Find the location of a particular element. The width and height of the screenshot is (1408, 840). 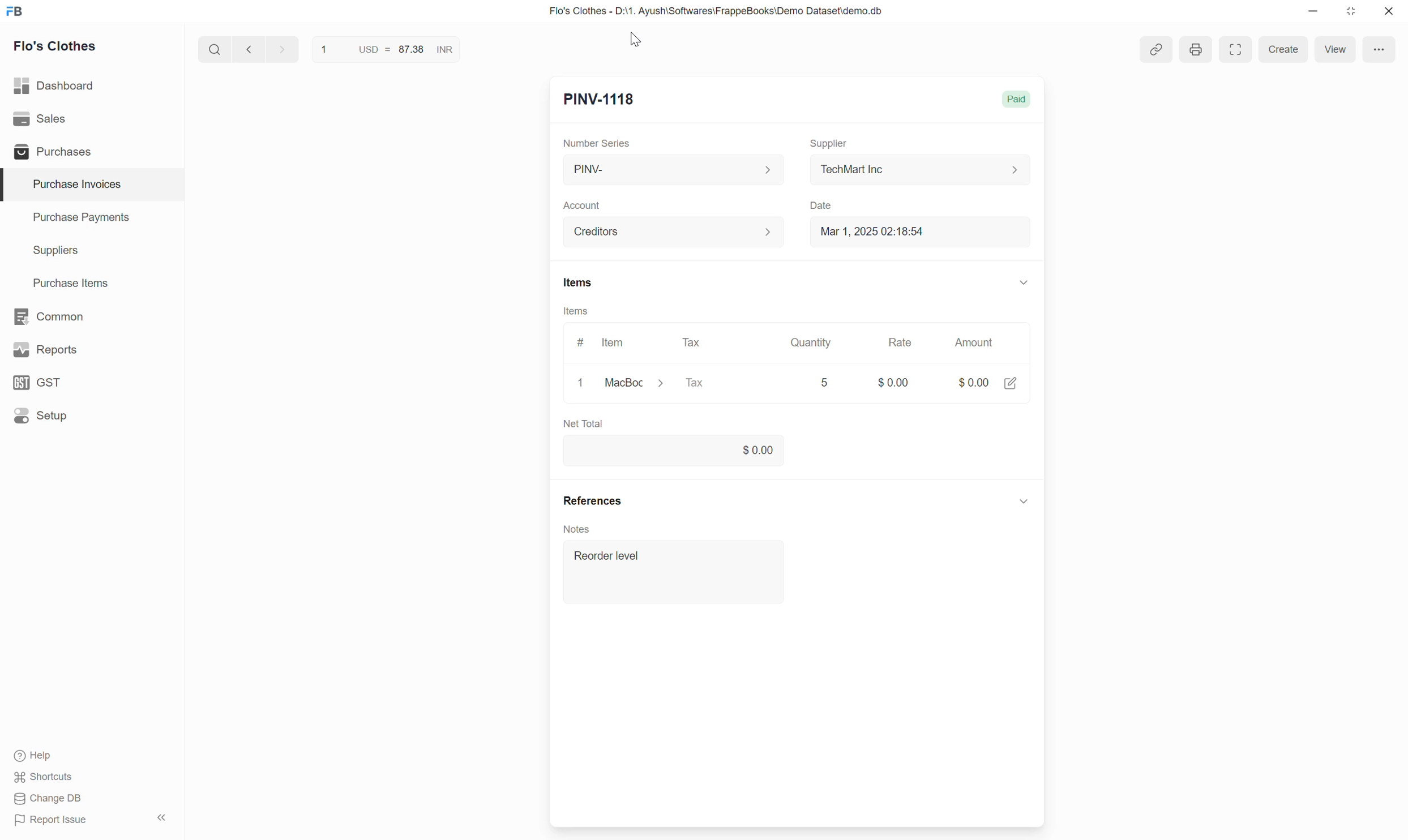

0.00 is located at coordinates (671, 448).